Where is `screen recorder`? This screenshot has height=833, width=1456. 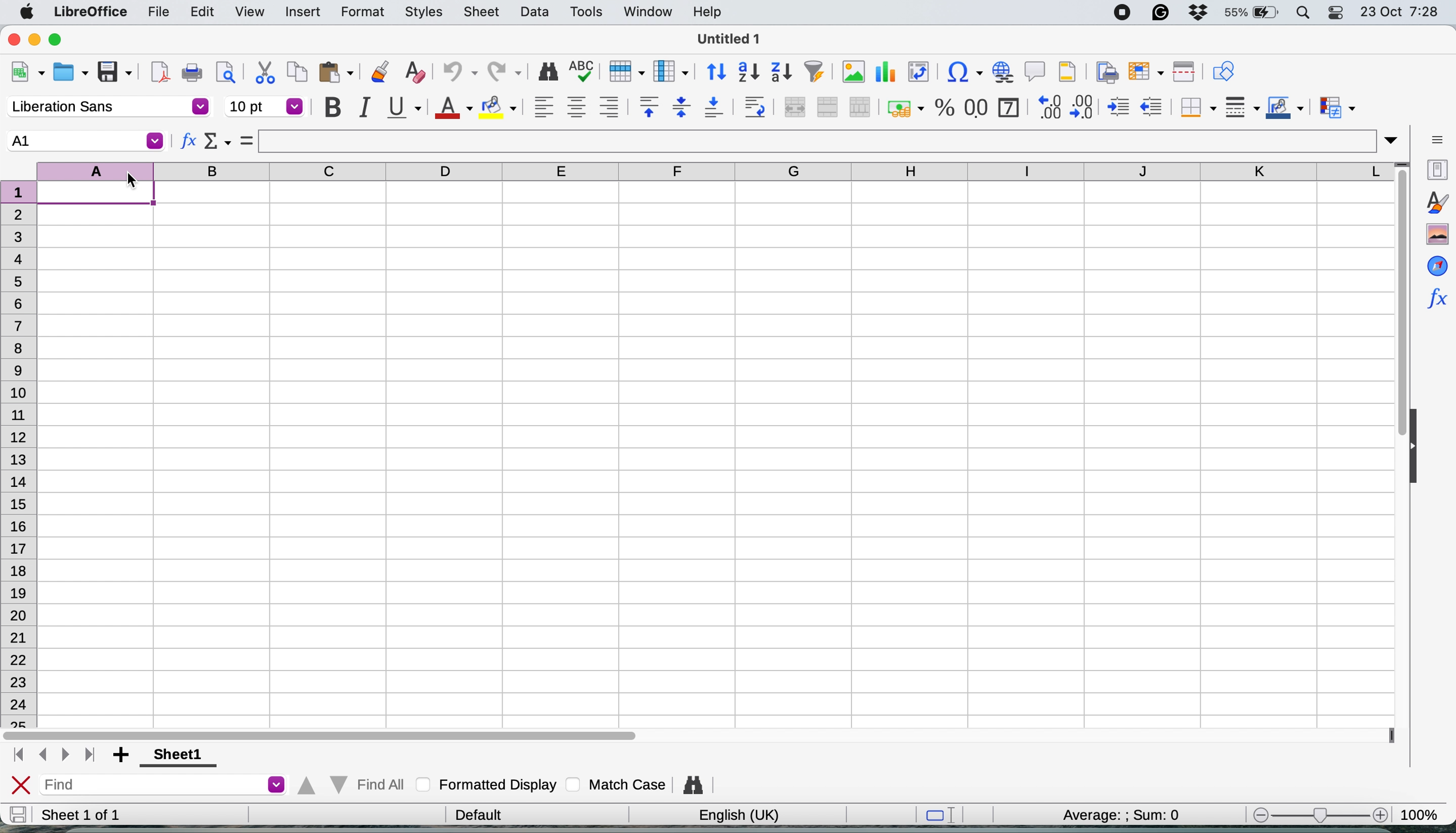 screen recorder is located at coordinates (1117, 12).